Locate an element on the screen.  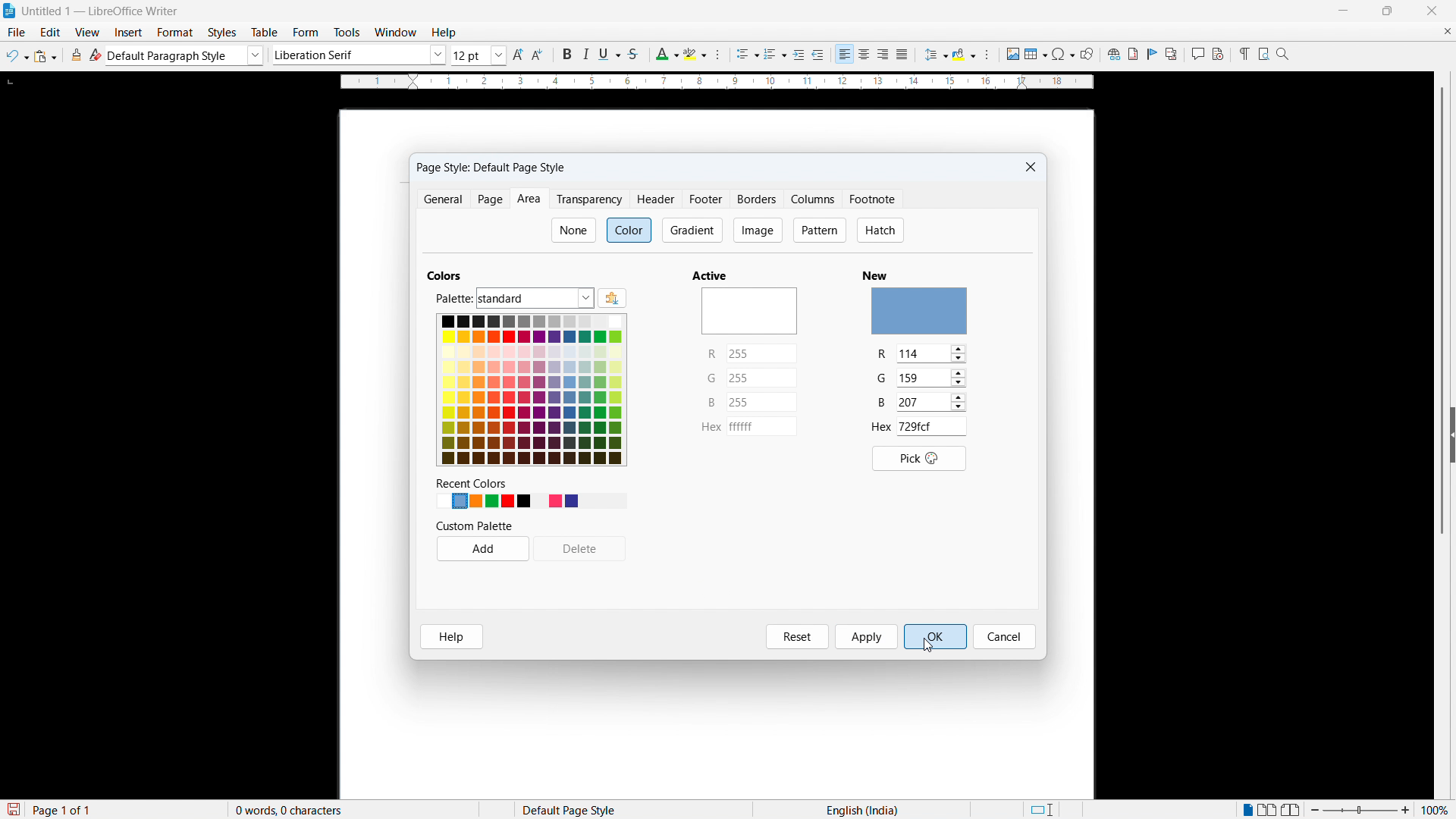
set B is located at coordinates (762, 401).